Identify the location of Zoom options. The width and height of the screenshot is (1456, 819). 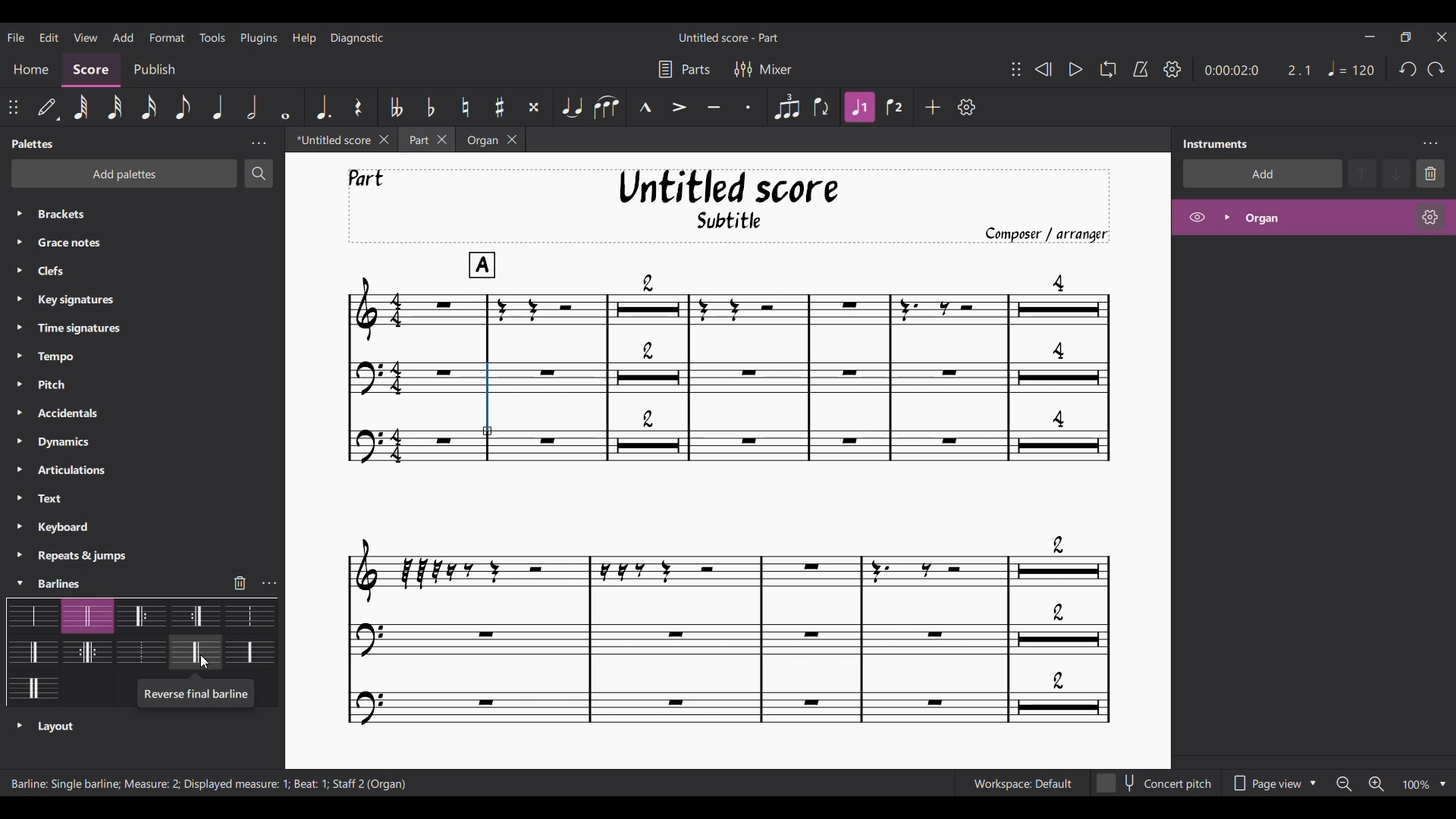
(1442, 783).